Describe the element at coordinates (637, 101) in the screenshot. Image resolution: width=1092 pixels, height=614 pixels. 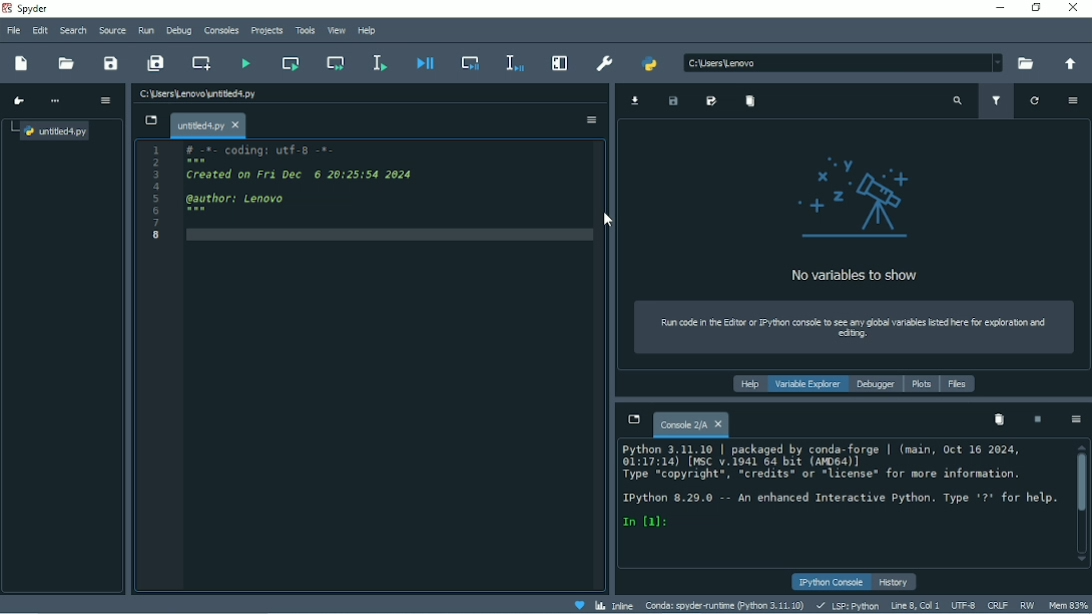
I see `Import data` at that location.